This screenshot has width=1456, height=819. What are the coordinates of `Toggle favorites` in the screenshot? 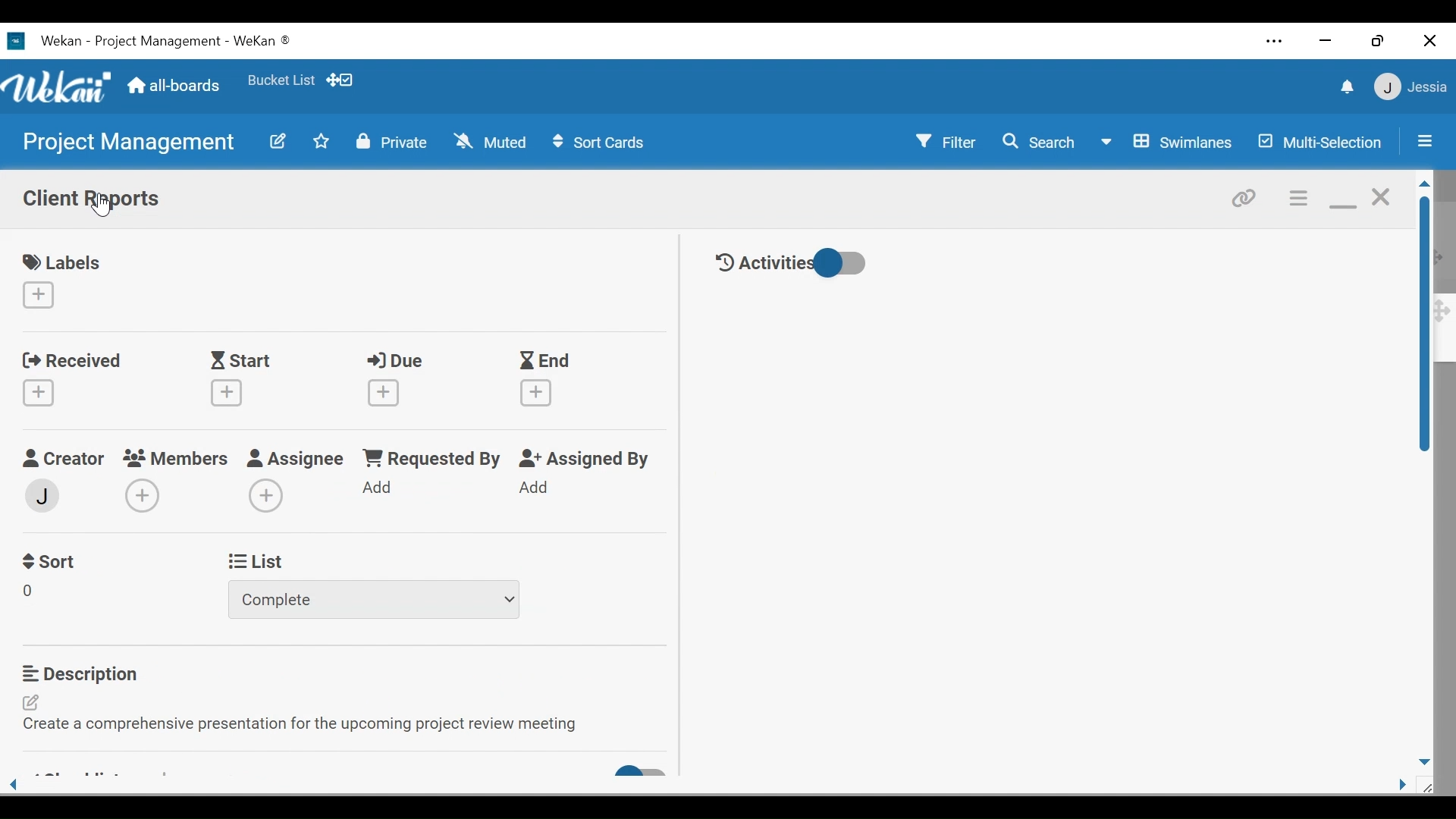 It's located at (322, 142).